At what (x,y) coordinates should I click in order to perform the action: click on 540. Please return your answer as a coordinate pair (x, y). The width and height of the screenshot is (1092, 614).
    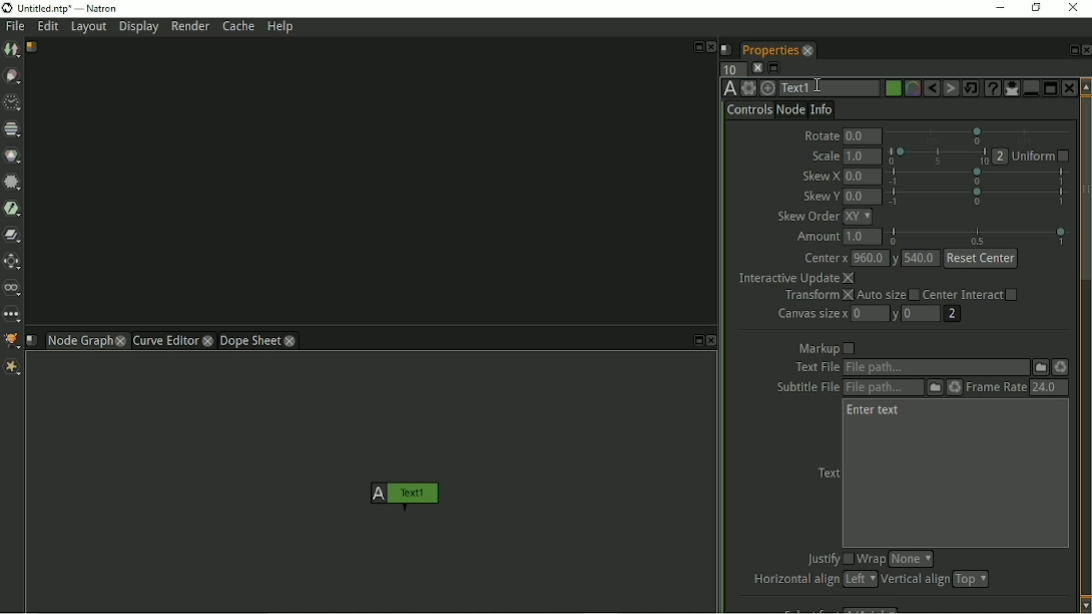
    Looking at the image, I should click on (922, 258).